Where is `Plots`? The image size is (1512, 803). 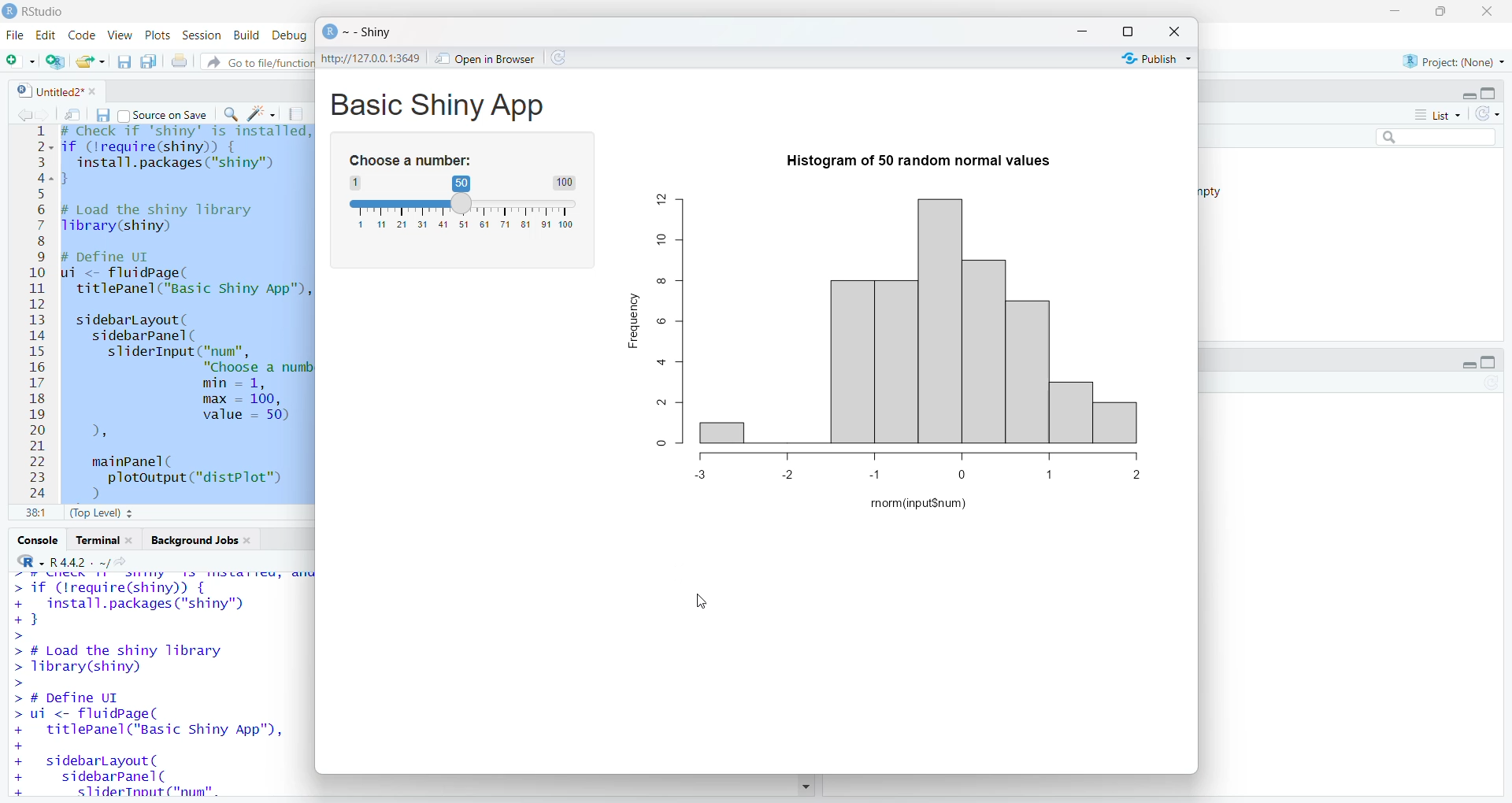 Plots is located at coordinates (157, 35).